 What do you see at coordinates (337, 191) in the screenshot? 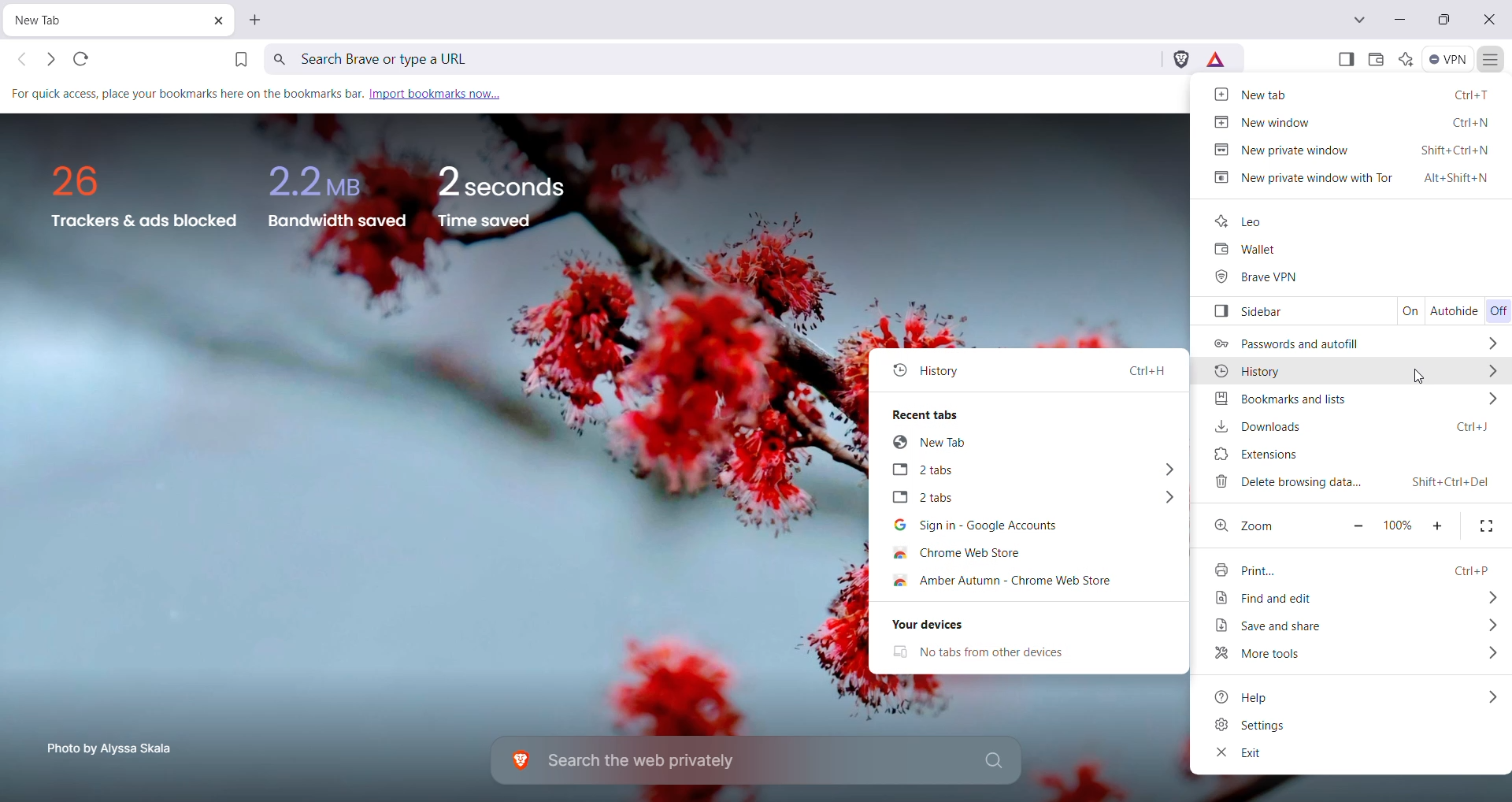
I see `2.2 MBB Bandwidth saved` at bounding box center [337, 191].